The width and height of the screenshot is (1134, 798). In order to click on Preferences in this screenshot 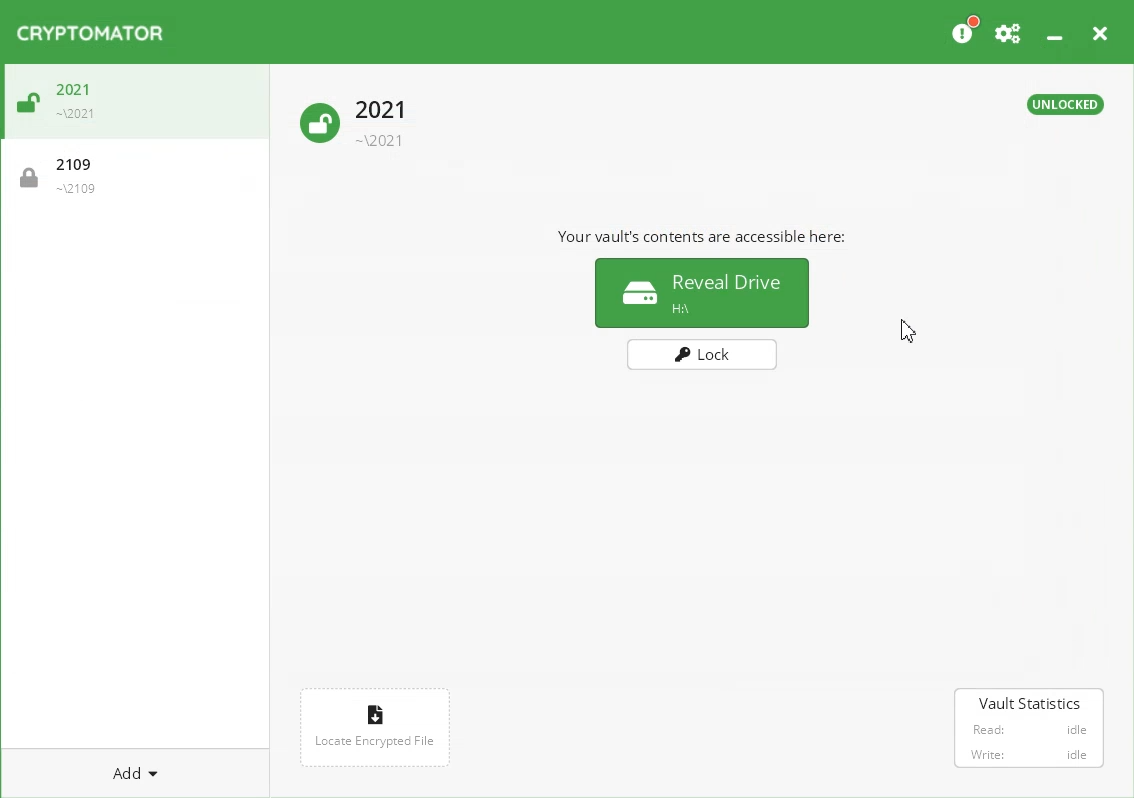, I will do `click(1008, 32)`.